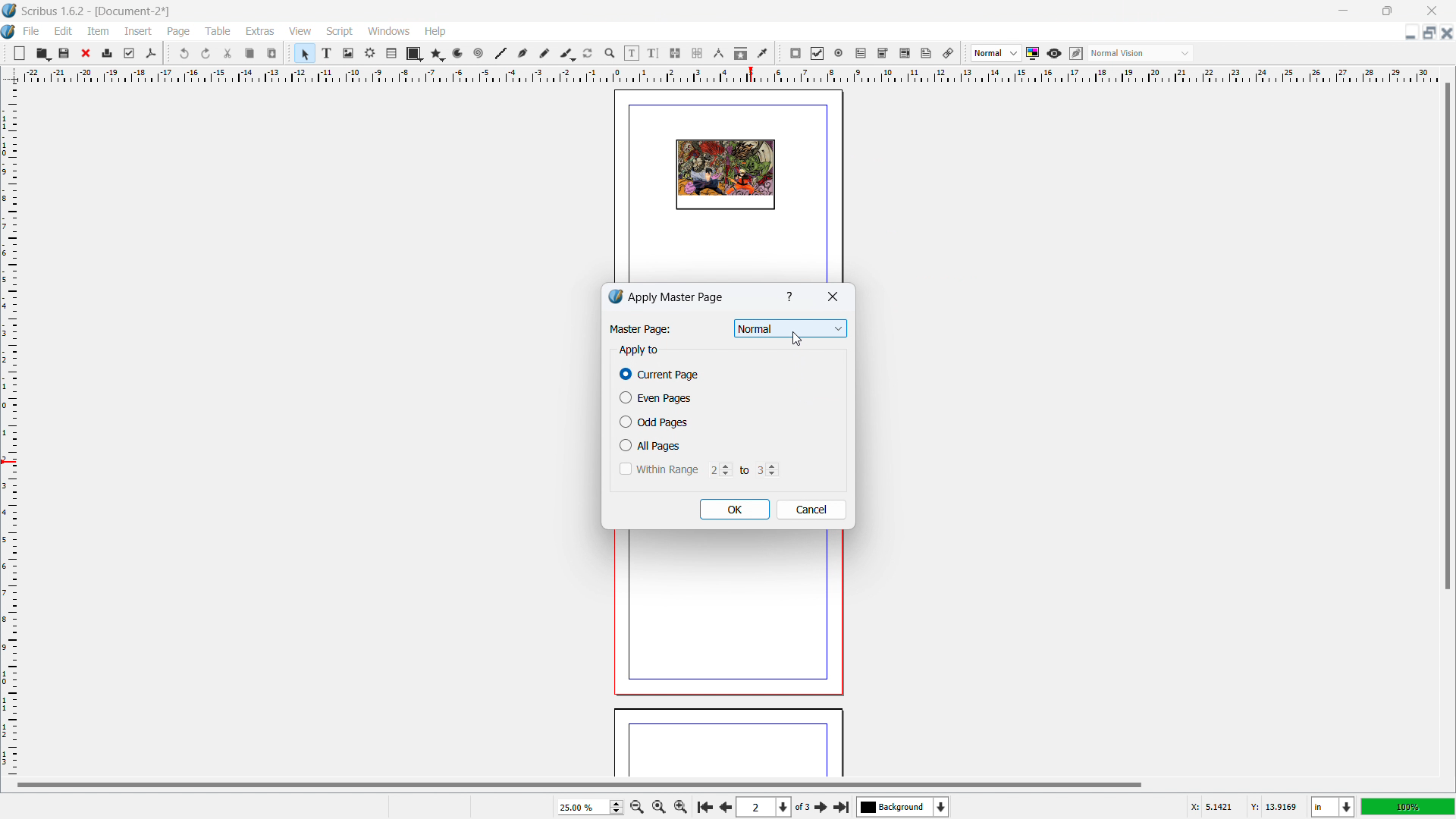 Image resolution: width=1456 pixels, height=819 pixels. I want to click on pdf checkbox, so click(817, 53).